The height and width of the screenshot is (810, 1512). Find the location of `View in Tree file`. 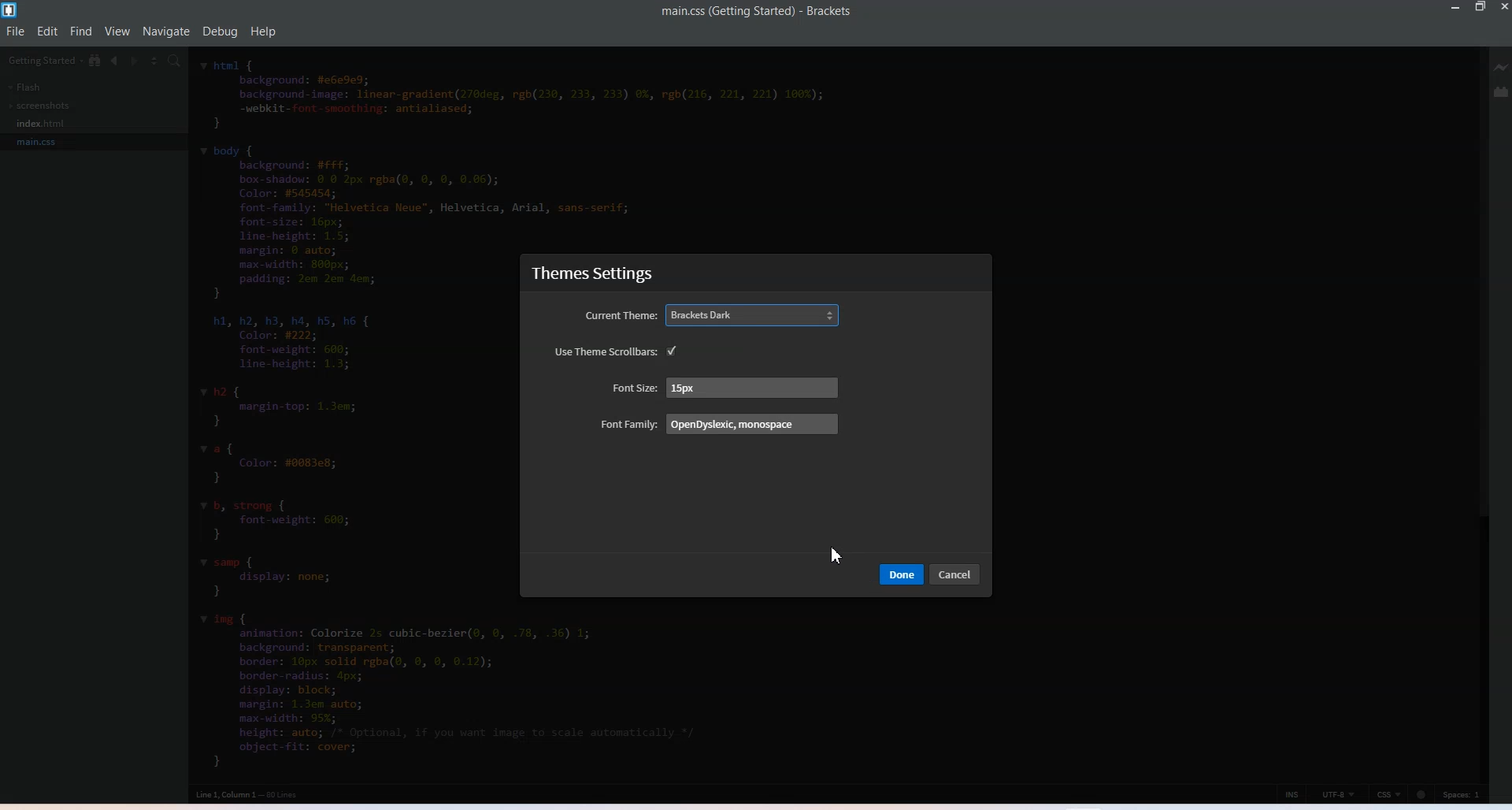

View in Tree file is located at coordinates (96, 61).